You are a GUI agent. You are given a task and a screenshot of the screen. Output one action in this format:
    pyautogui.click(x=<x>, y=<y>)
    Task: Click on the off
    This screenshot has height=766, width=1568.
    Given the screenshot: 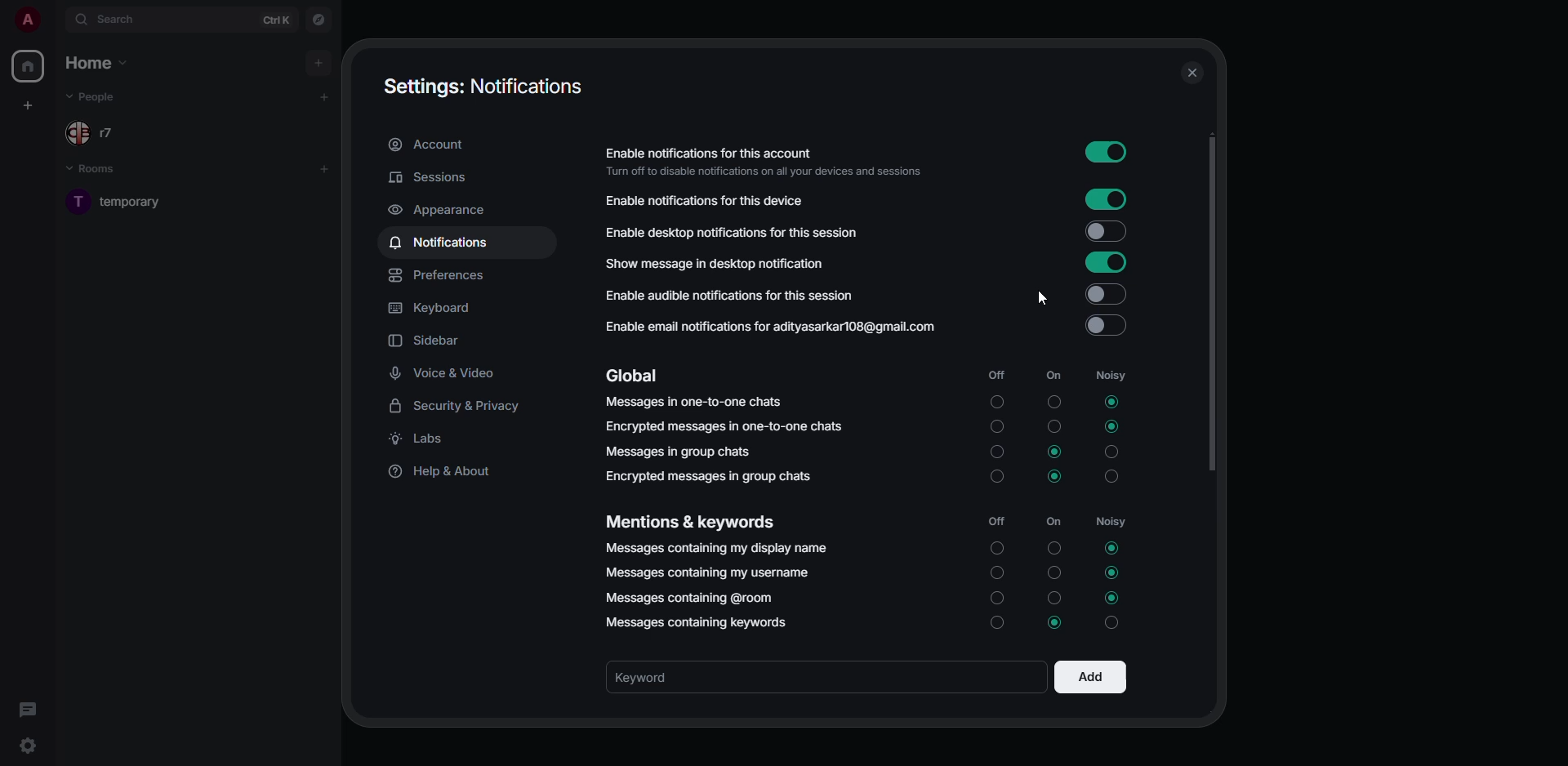 What is the action you would take?
    pyautogui.click(x=996, y=376)
    